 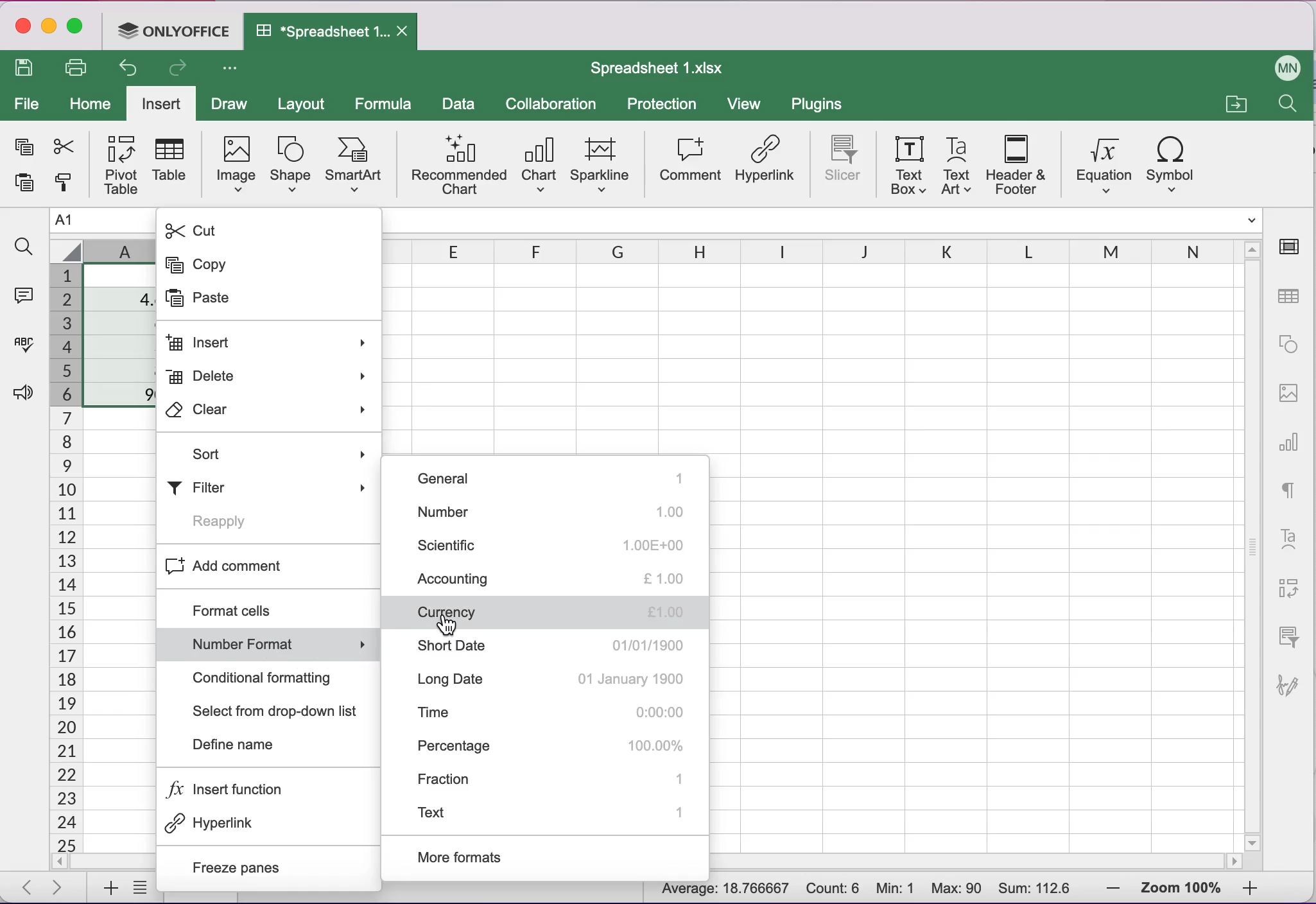 What do you see at coordinates (272, 345) in the screenshot?
I see `Insert` at bounding box center [272, 345].